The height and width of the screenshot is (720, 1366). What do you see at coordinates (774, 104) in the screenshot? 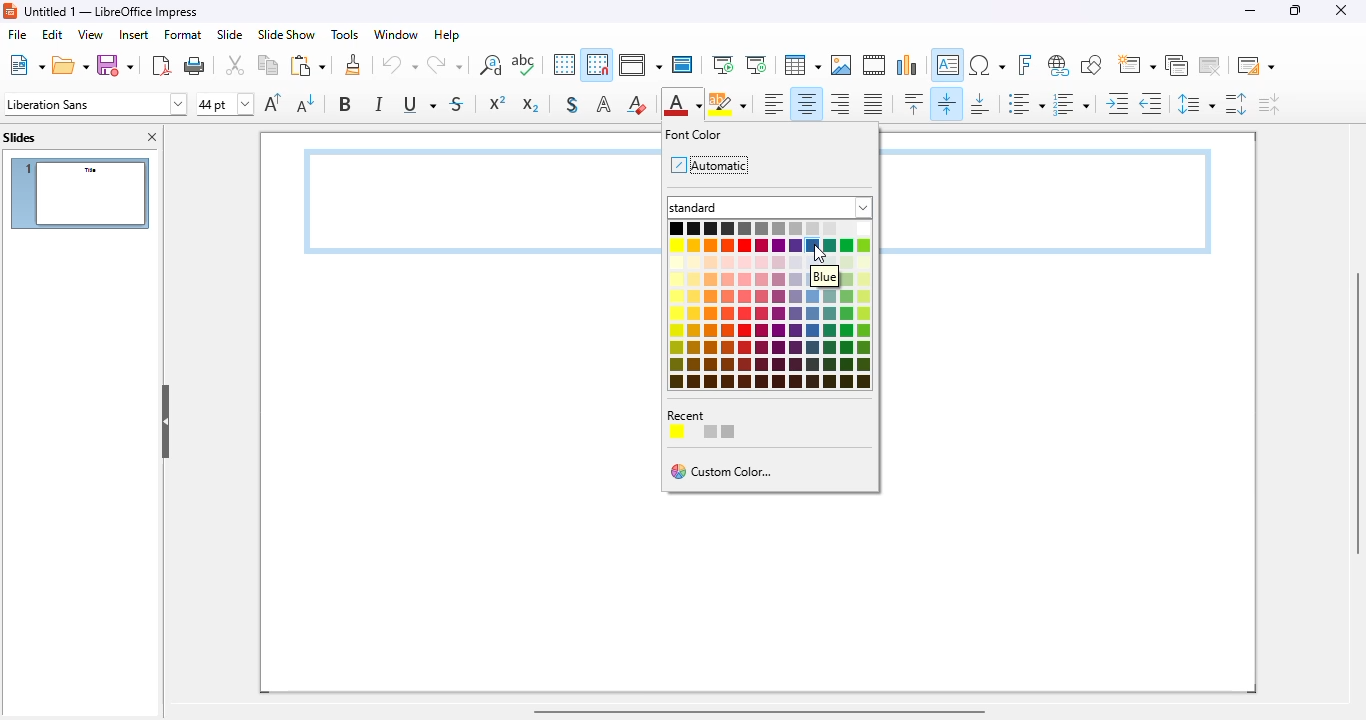
I see `align left` at bounding box center [774, 104].